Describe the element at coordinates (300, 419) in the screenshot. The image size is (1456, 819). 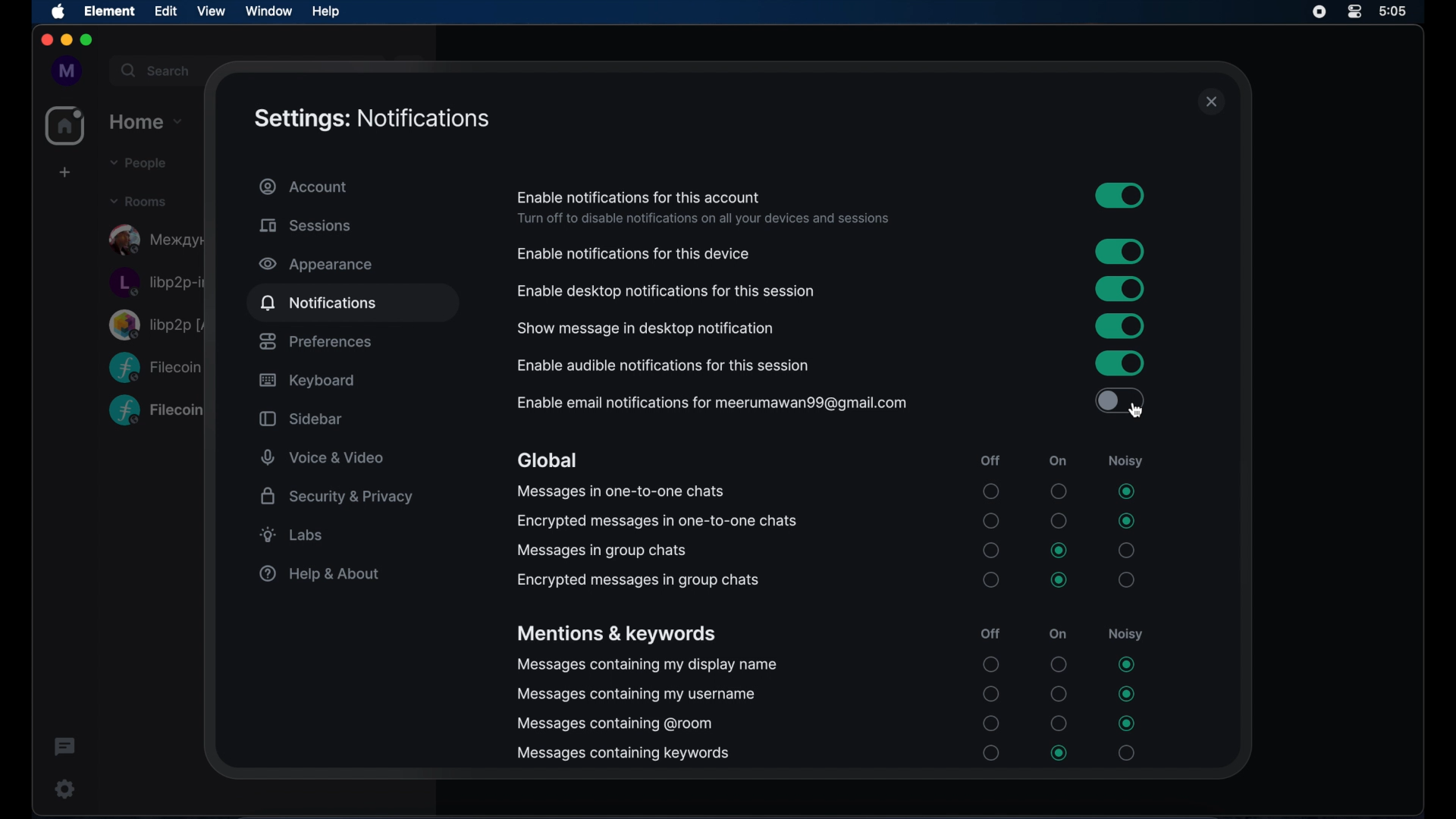
I see `sidebar` at that location.